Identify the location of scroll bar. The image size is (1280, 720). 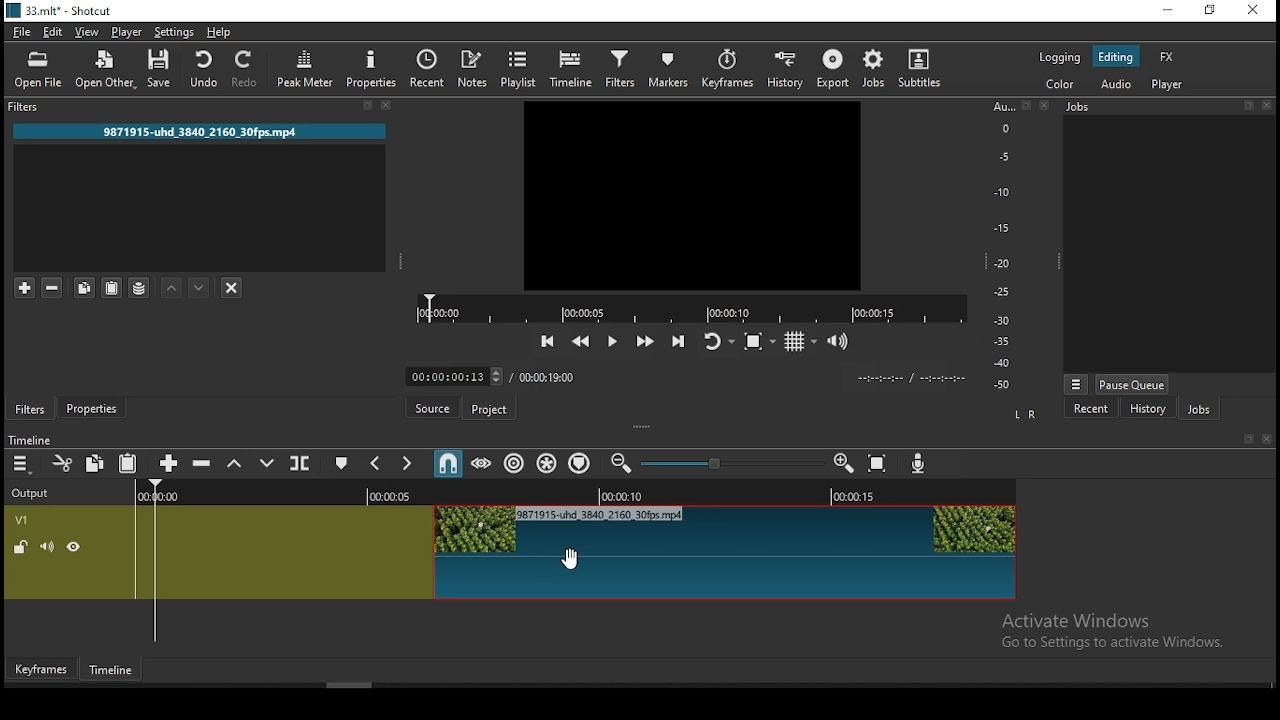
(349, 685).